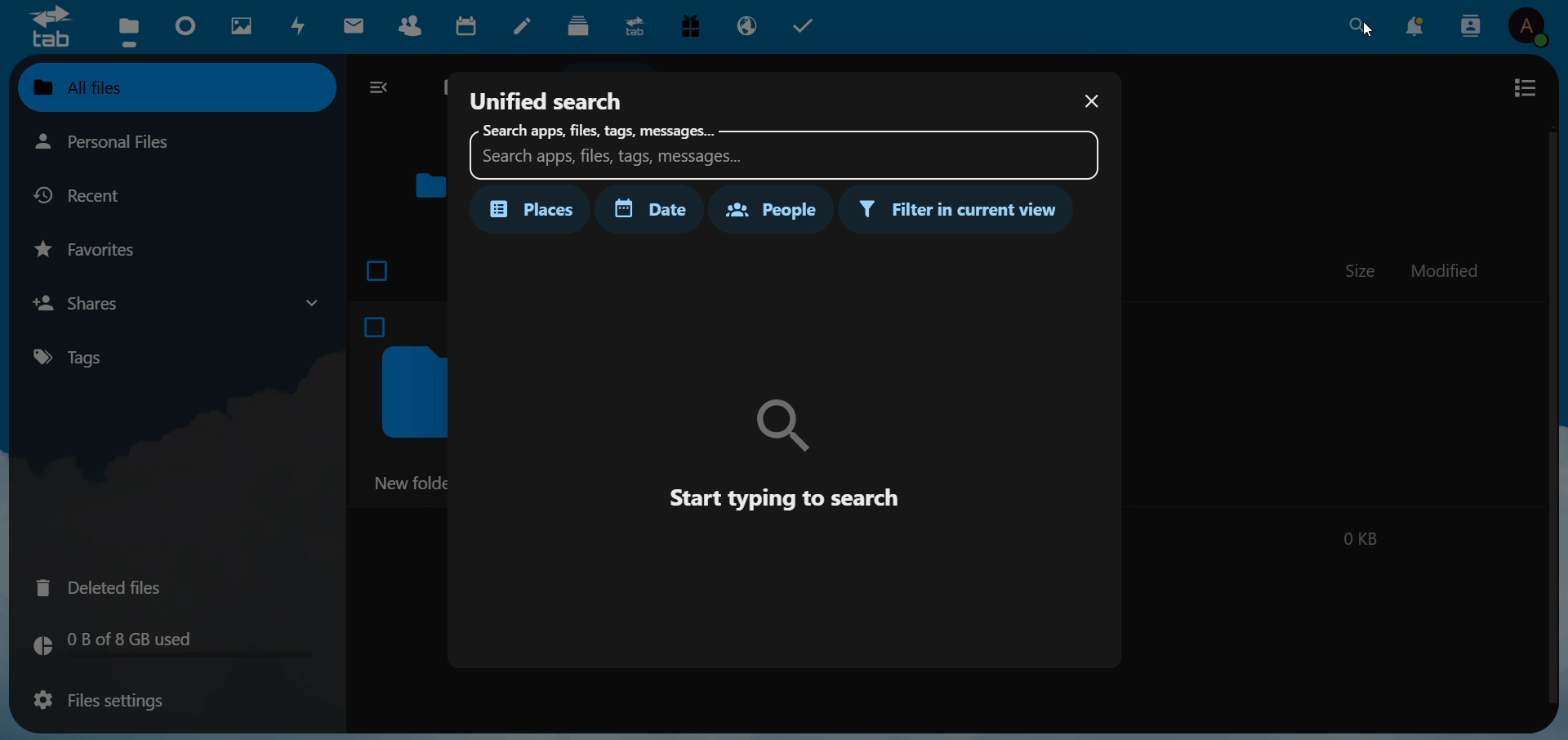 The image size is (1568, 740). Describe the element at coordinates (95, 702) in the screenshot. I see `files setting` at that location.